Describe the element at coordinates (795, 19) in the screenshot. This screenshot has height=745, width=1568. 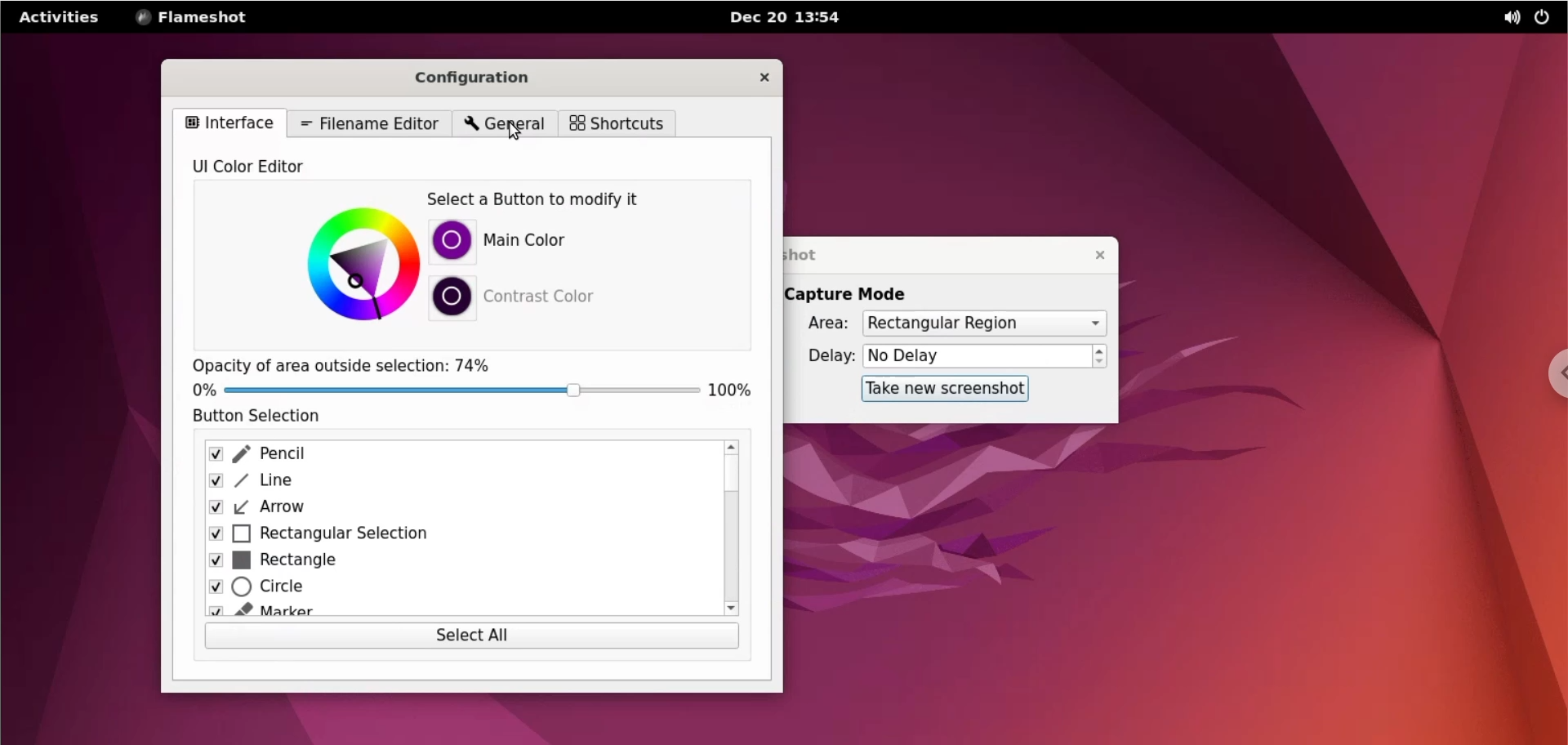
I see `Dec 20 13:54` at that location.